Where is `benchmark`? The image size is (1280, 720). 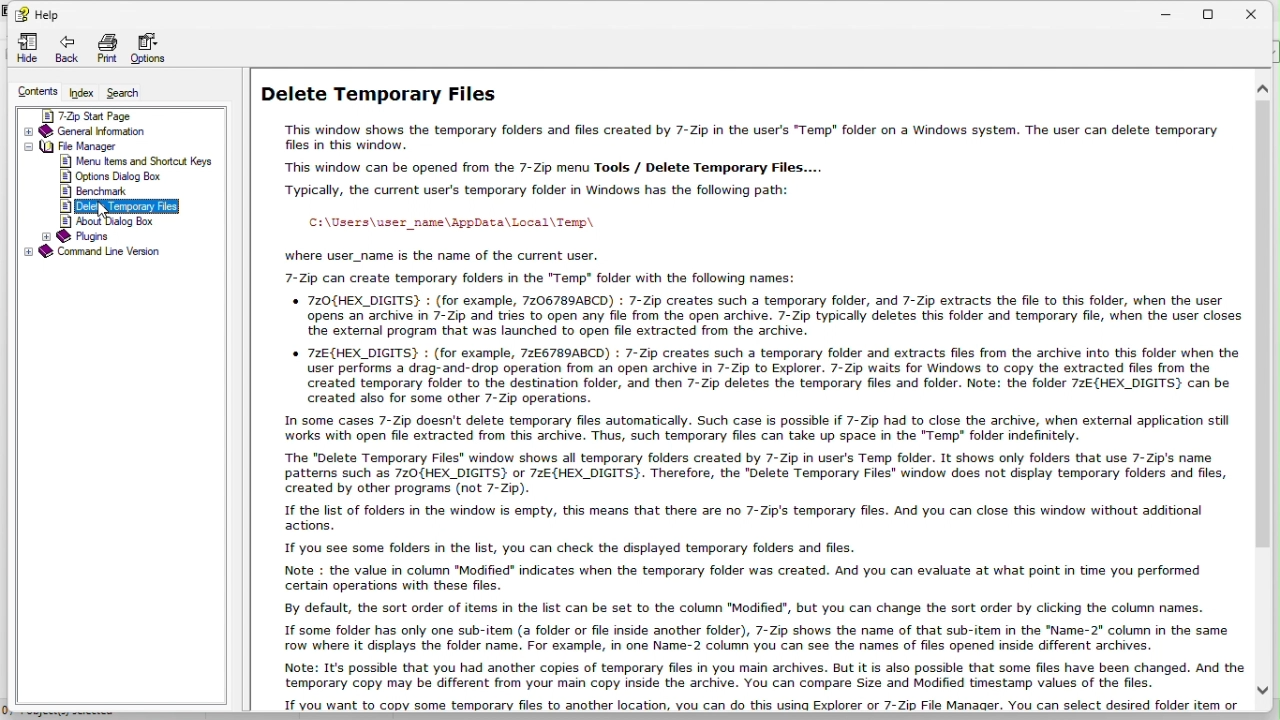
benchmark is located at coordinates (98, 191).